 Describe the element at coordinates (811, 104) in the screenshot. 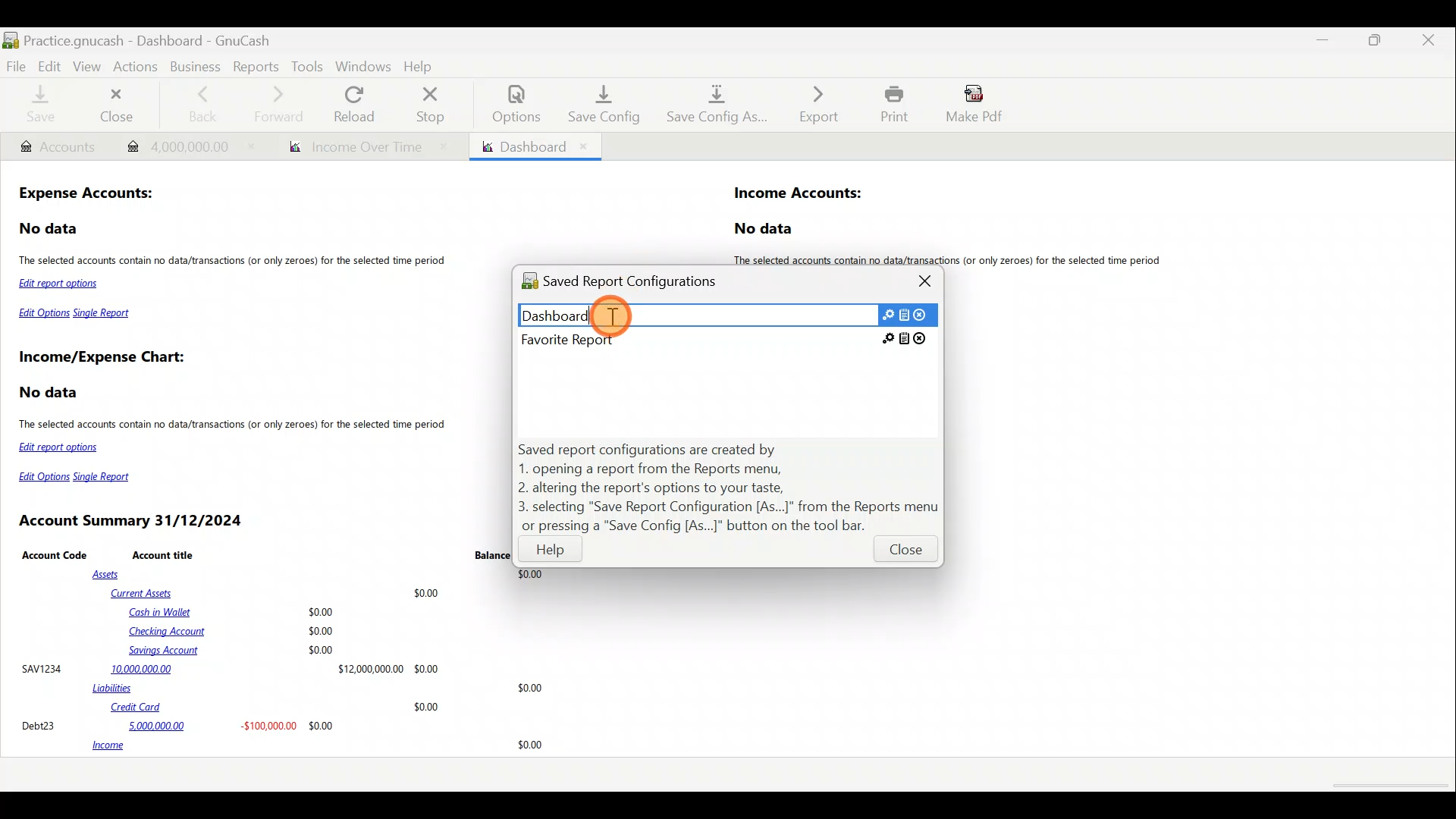

I see `Export` at that location.